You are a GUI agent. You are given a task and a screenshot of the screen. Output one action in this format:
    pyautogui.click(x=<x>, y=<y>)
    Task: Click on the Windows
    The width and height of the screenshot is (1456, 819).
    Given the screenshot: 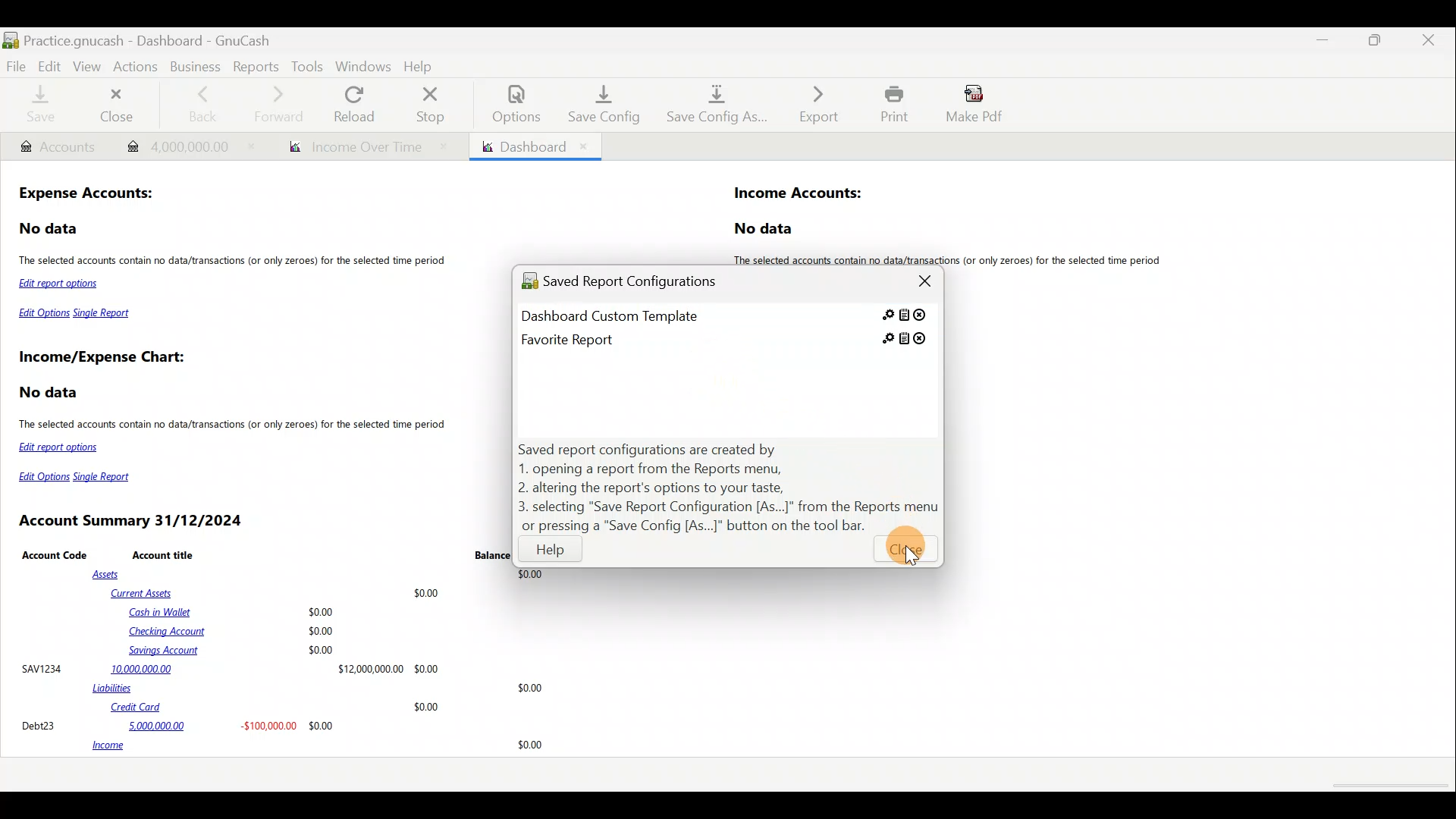 What is the action you would take?
    pyautogui.click(x=363, y=66)
    